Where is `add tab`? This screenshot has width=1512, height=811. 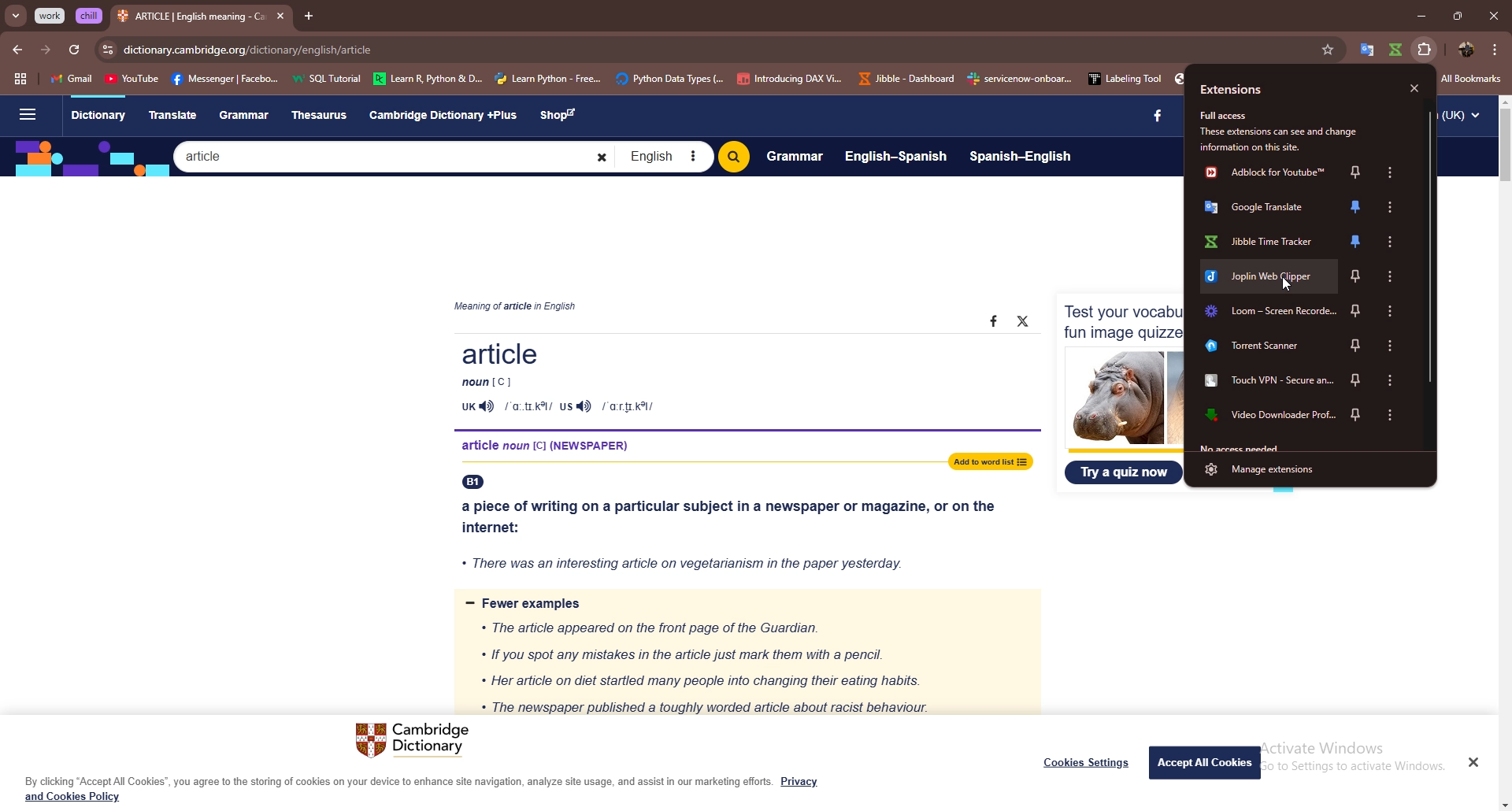
add tab is located at coordinates (308, 16).